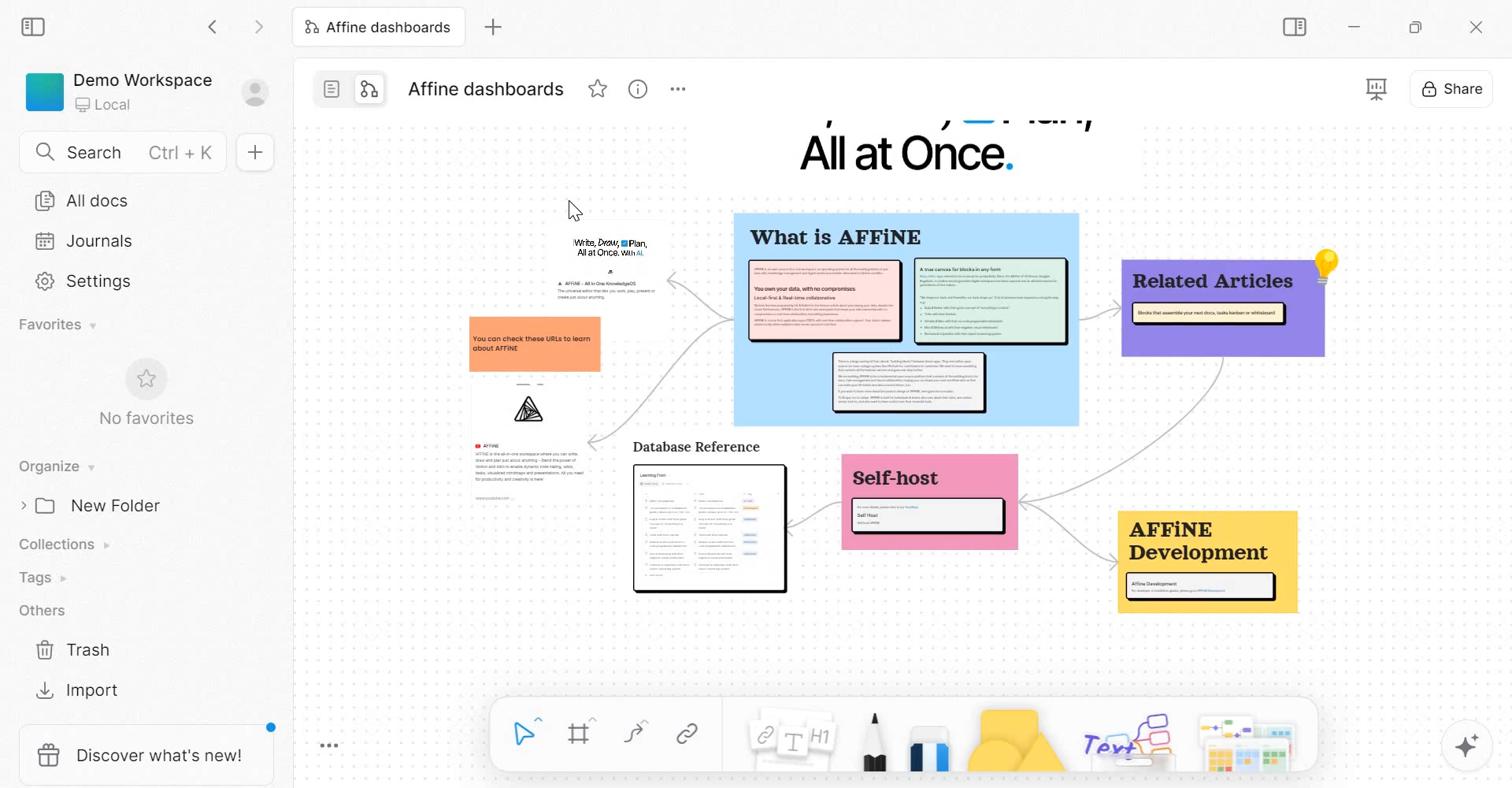 Image resolution: width=1512 pixels, height=788 pixels. I want to click on Demo Workspace, so click(154, 91).